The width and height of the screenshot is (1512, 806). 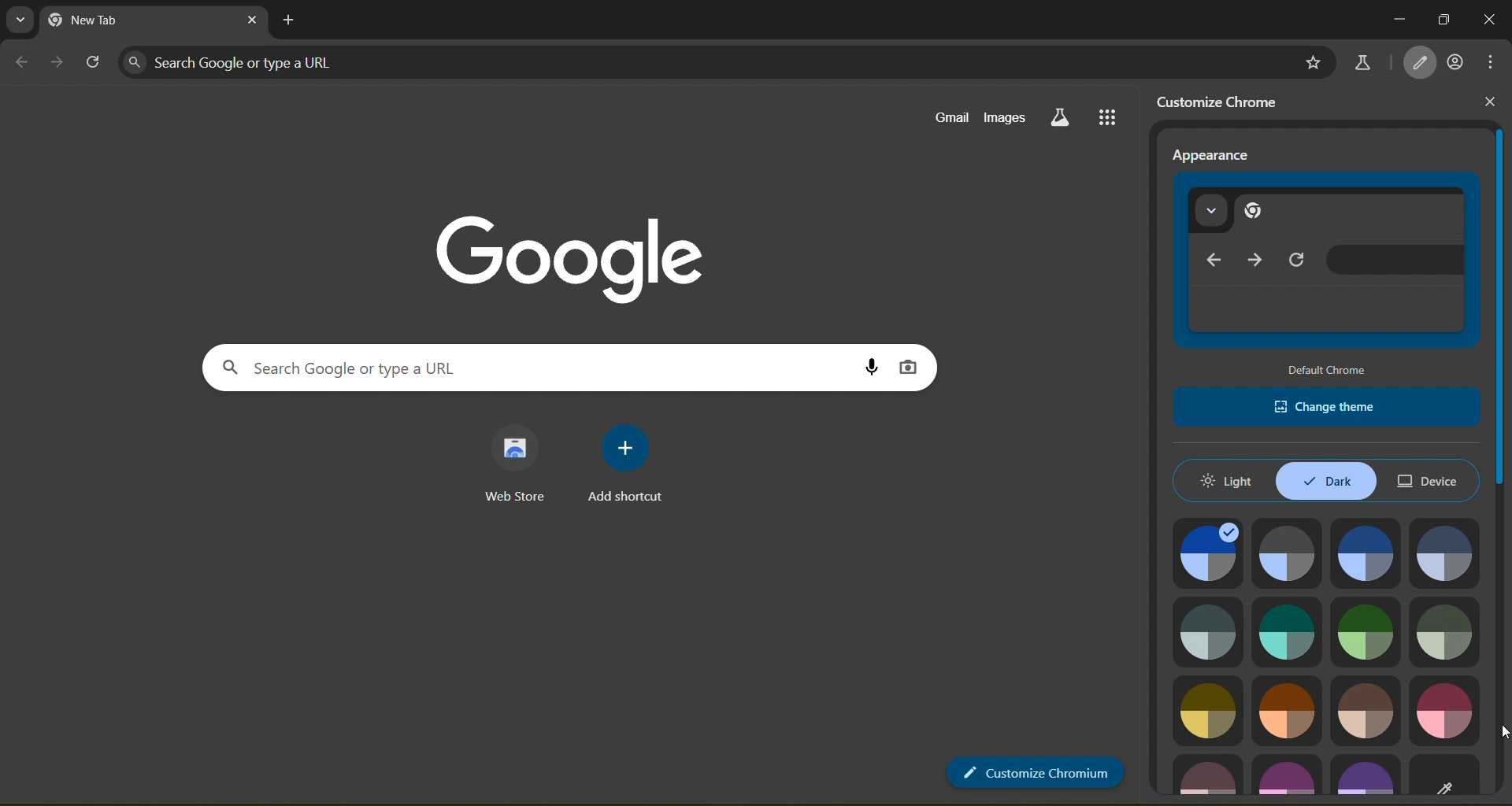 I want to click on search panel, so click(x=466, y=364).